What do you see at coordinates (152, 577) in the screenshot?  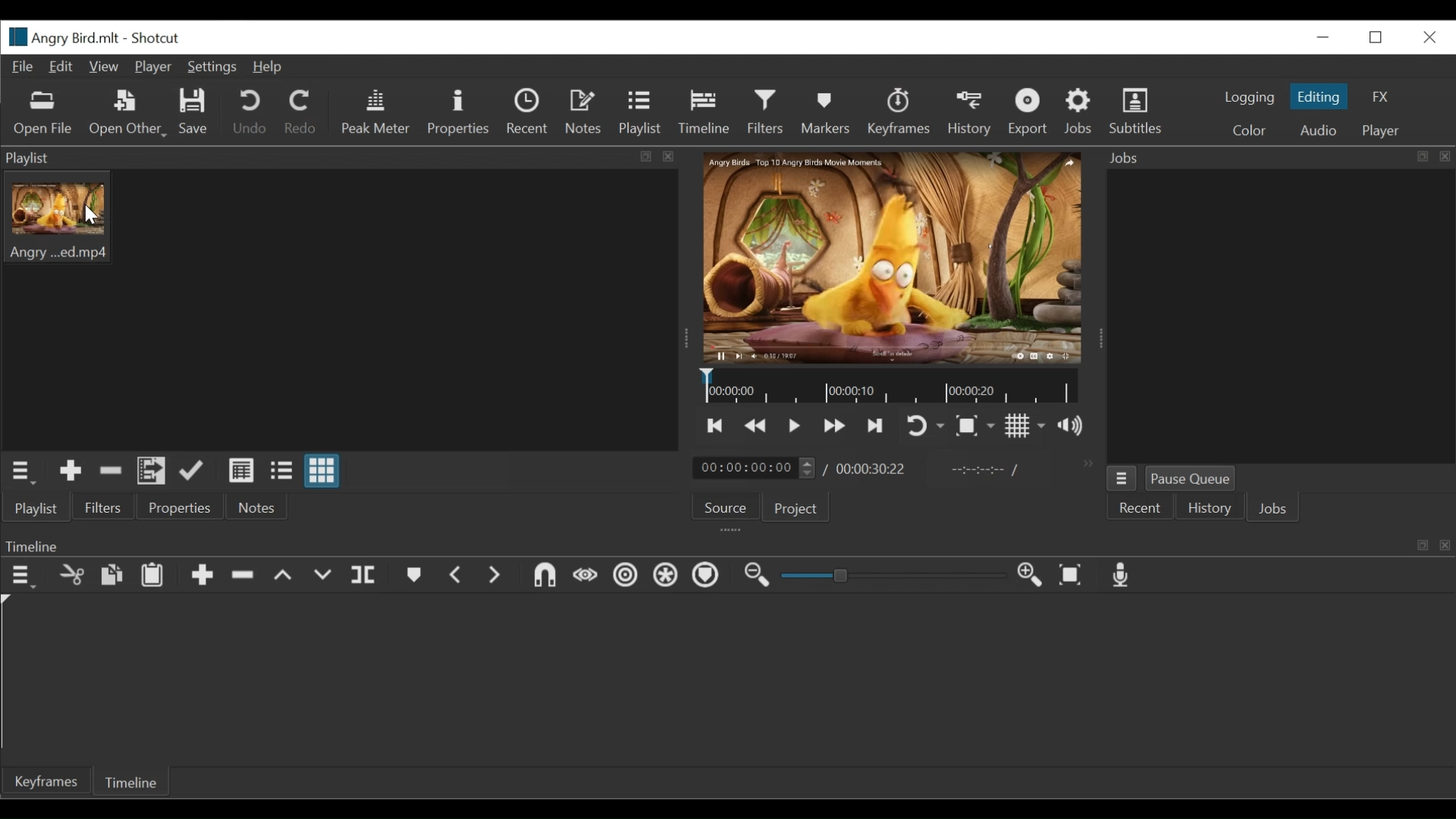 I see `Paste` at bounding box center [152, 577].